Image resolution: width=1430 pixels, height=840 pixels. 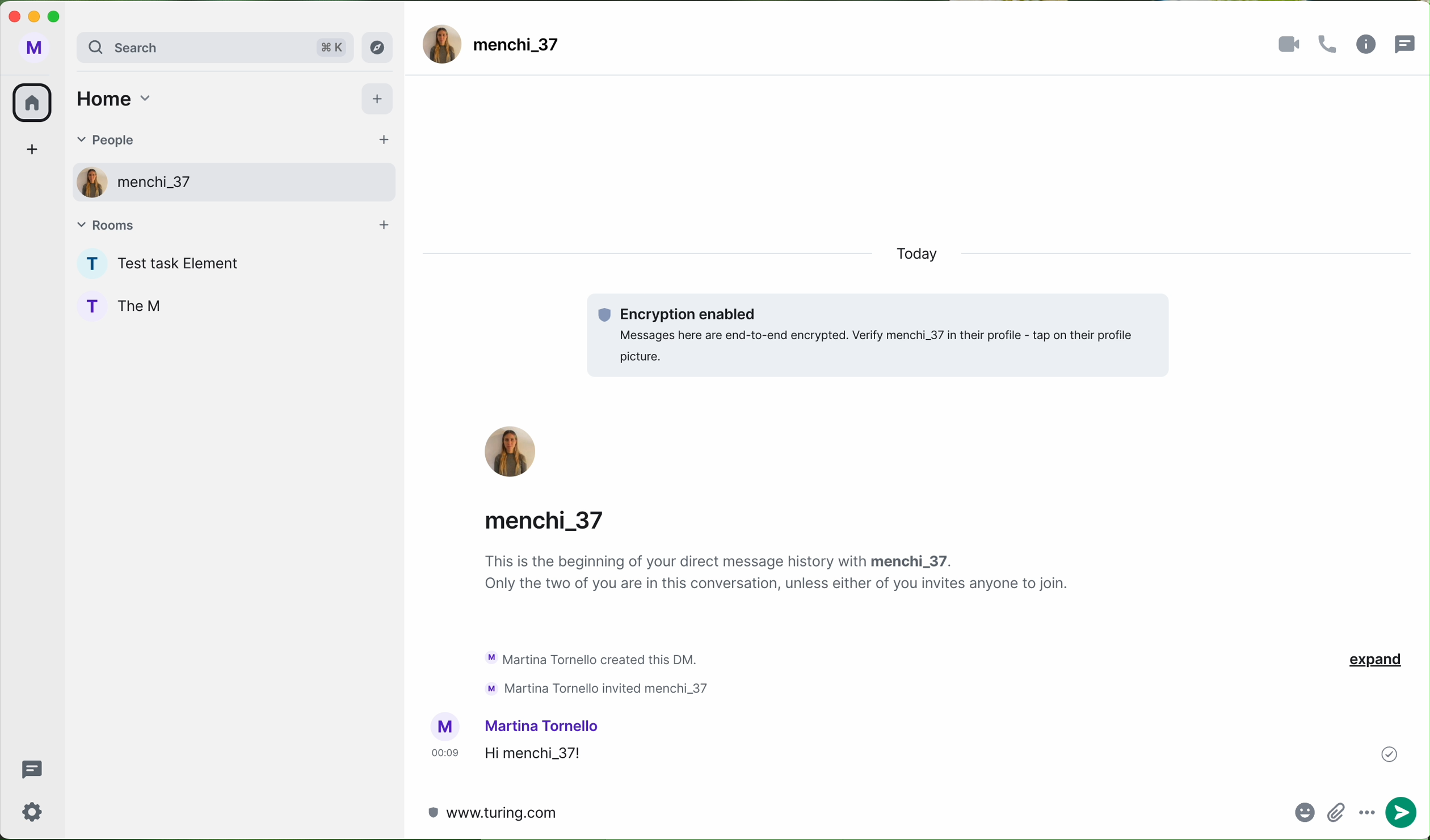 What do you see at coordinates (36, 18) in the screenshot?
I see `minimize` at bounding box center [36, 18].